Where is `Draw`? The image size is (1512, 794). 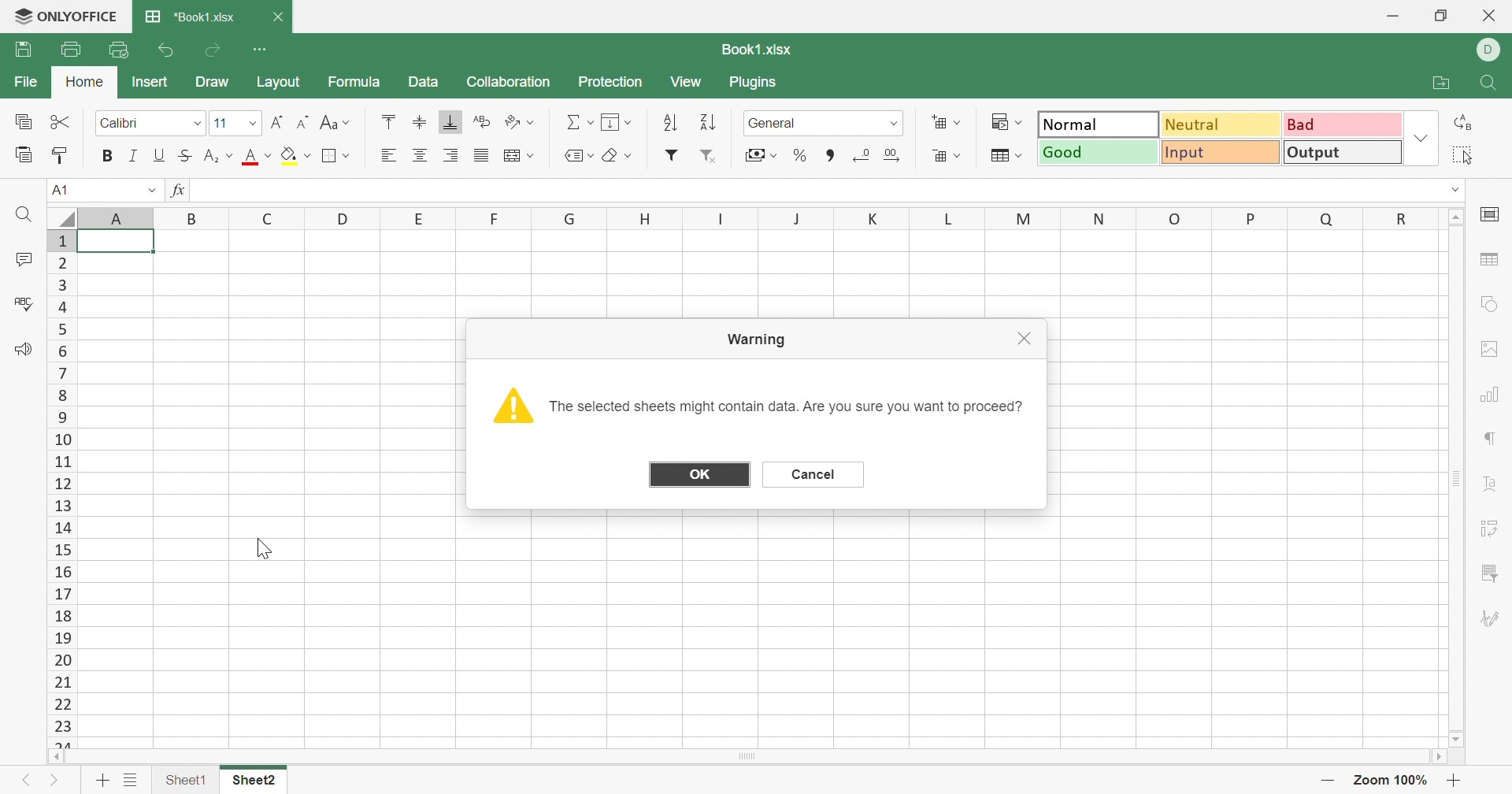
Draw is located at coordinates (213, 81).